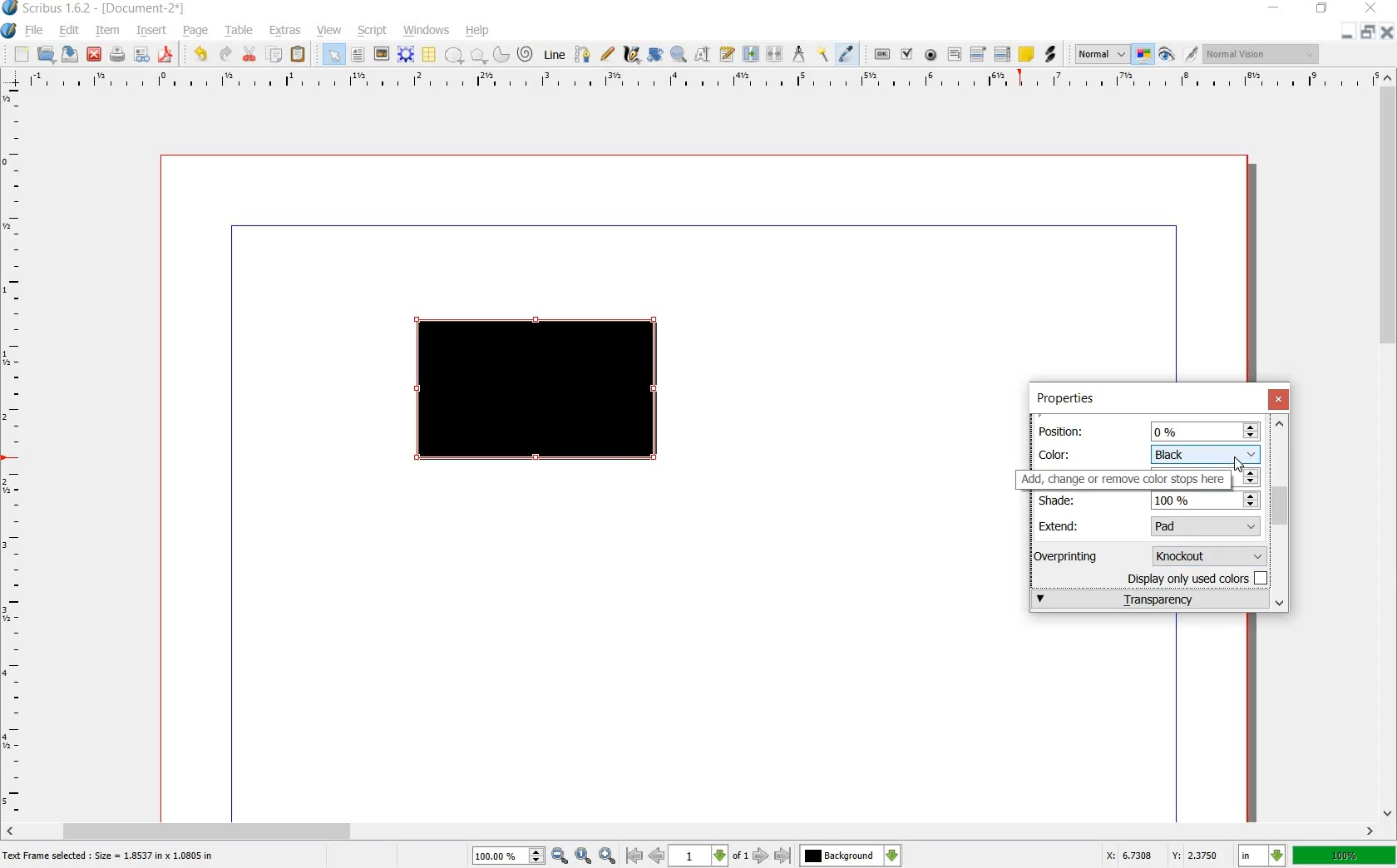  I want to click on scroll bar, so click(692, 830).